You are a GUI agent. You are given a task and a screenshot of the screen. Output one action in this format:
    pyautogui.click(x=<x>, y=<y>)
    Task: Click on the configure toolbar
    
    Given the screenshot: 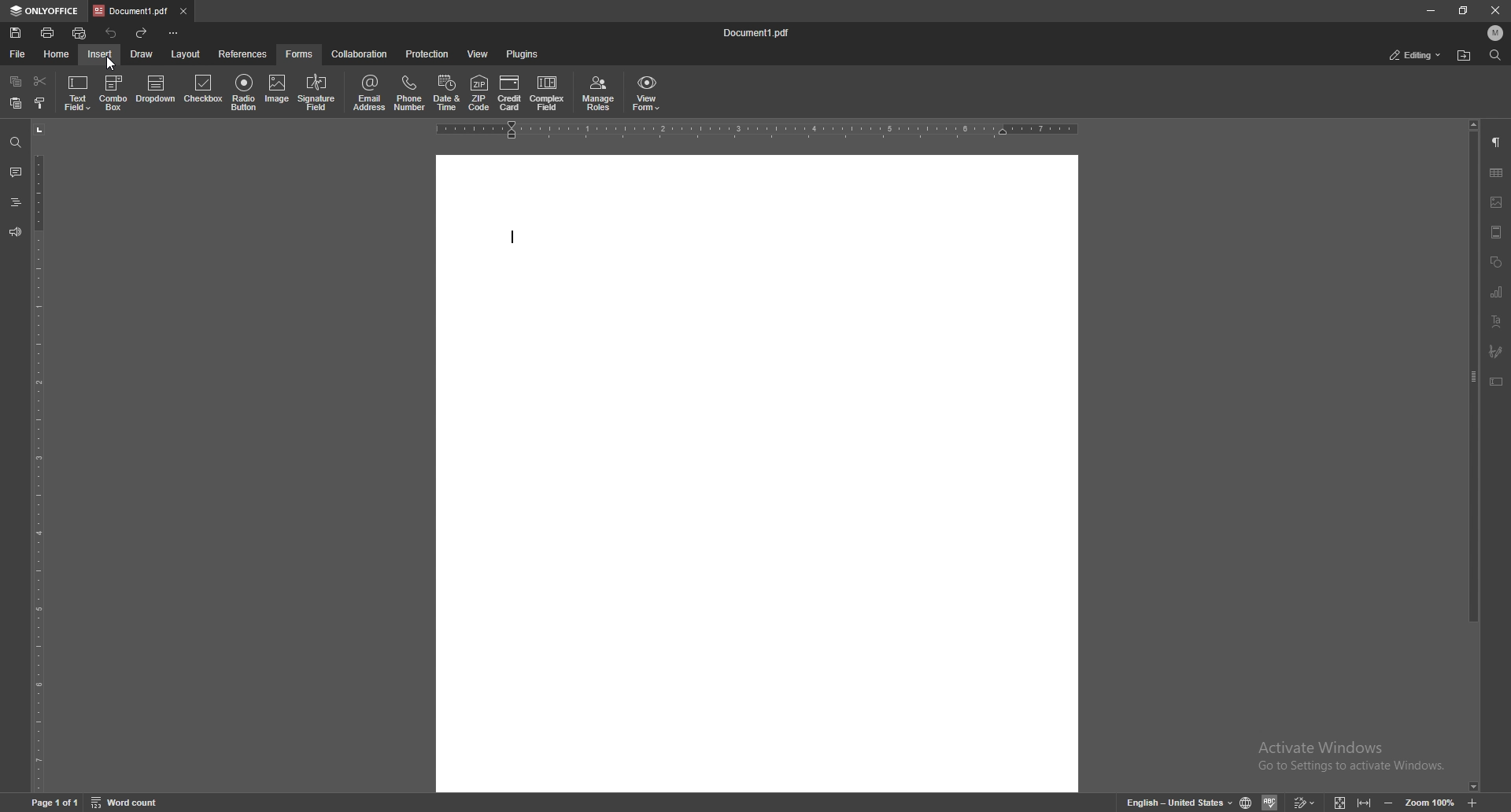 What is the action you would take?
    pyautogui.click(x=174, y=33)
    